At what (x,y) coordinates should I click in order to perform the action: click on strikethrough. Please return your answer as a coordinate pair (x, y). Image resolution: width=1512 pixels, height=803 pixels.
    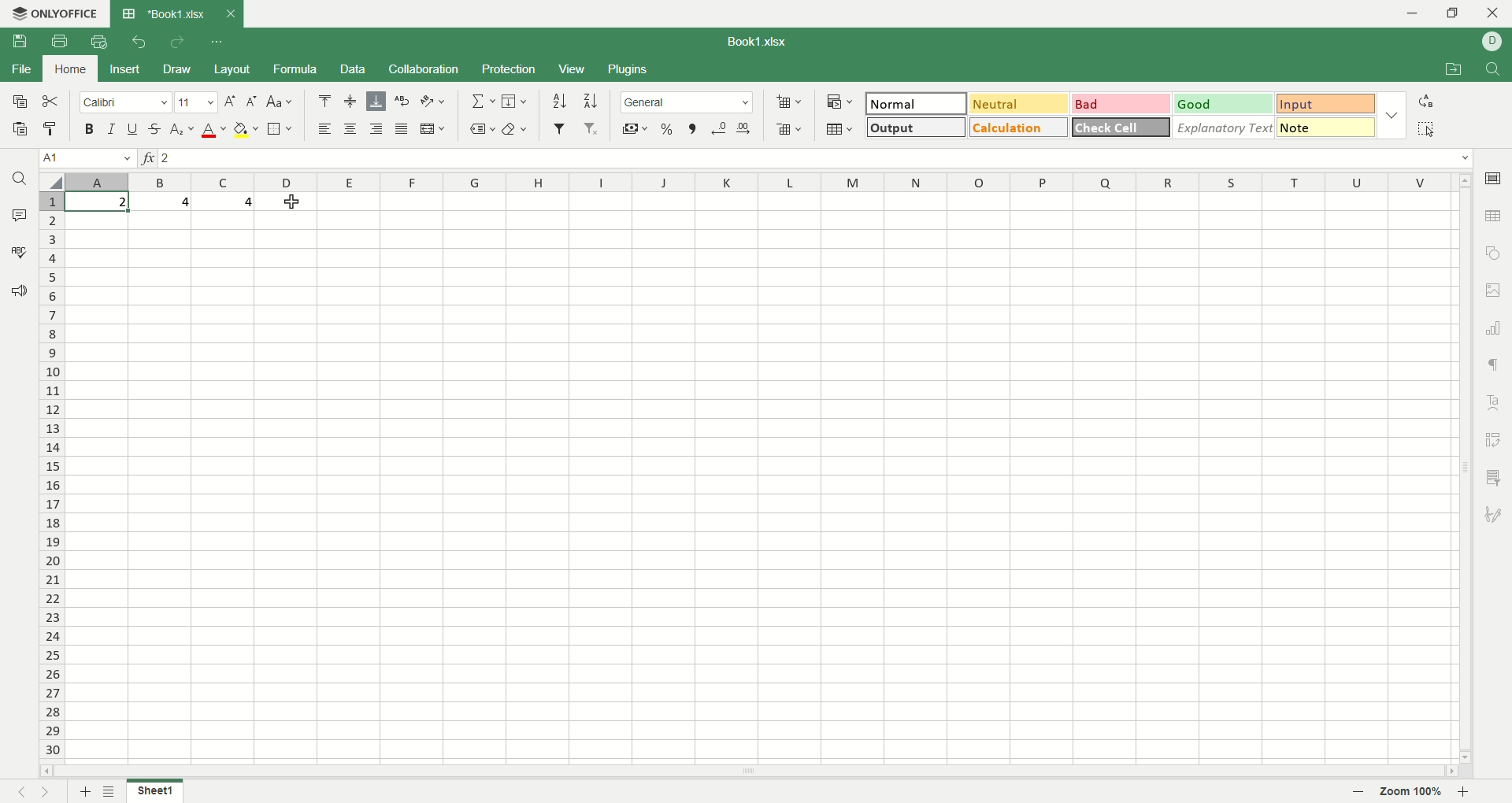
    Looking at the image, I should click on (155, 130).